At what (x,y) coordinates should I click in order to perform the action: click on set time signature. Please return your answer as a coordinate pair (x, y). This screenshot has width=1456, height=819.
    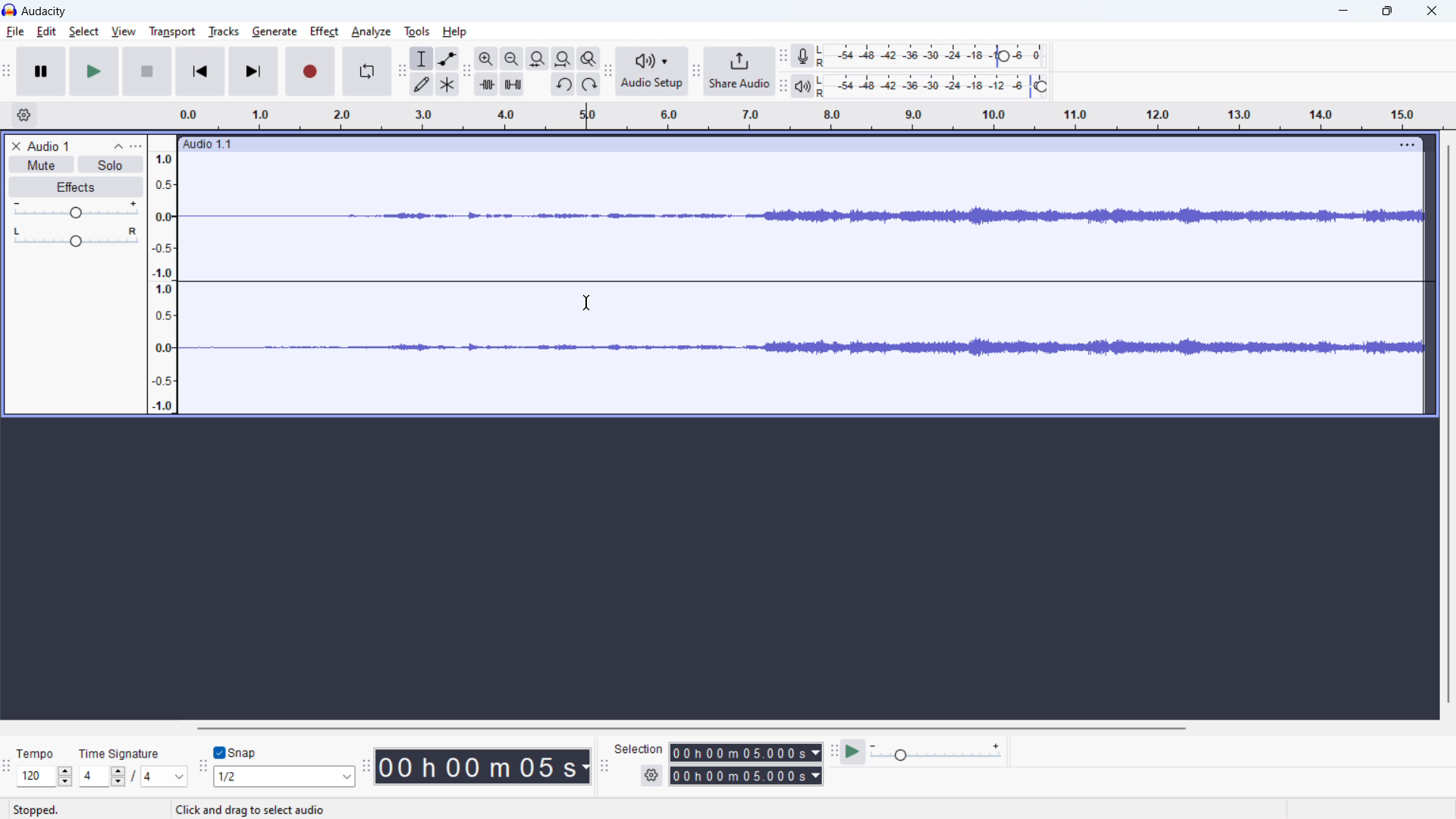
    Looking at the image, I should click on (132, 777).